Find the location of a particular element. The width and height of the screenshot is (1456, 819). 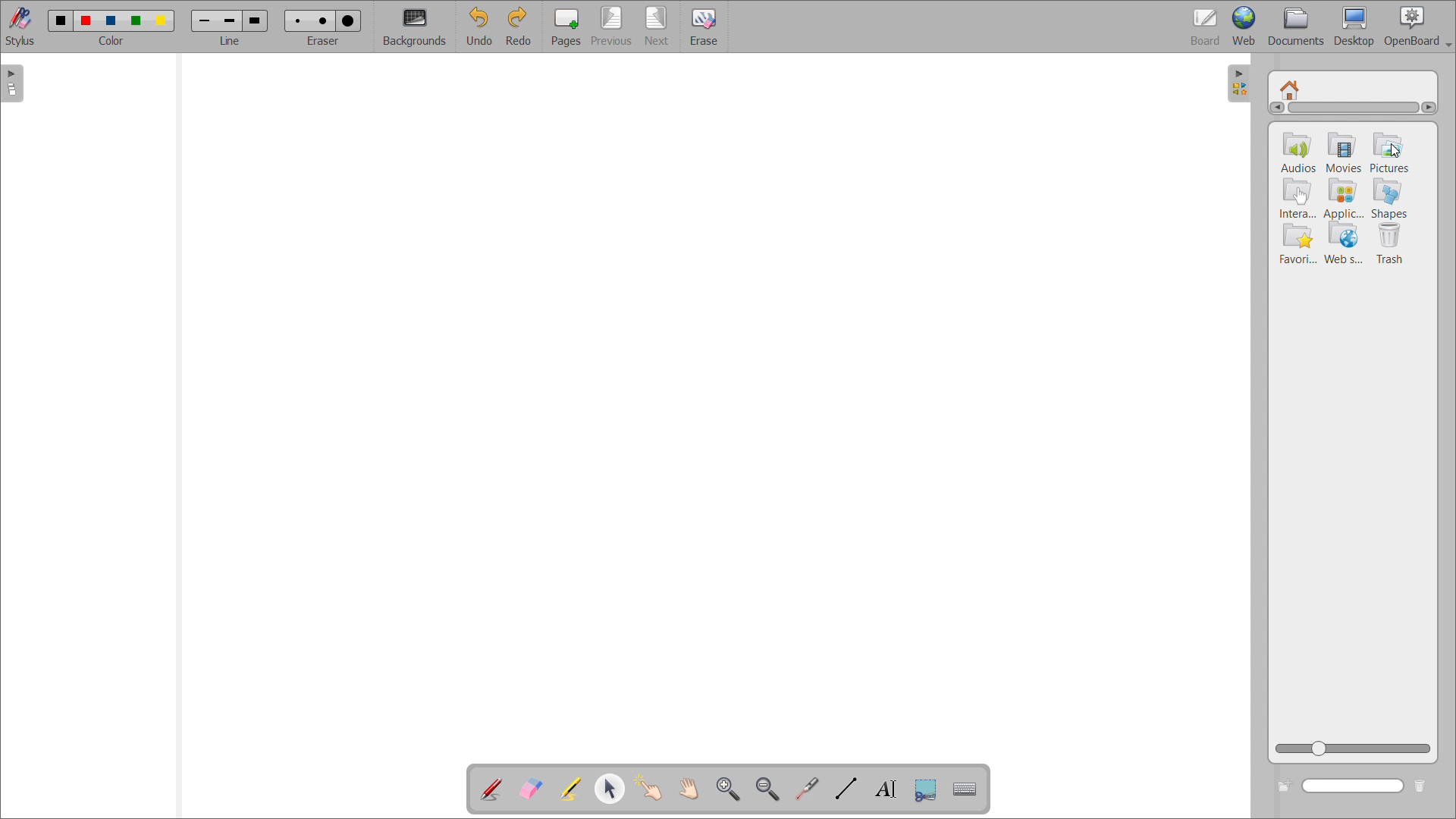

select eraser size is located at coordinates (324, 27).